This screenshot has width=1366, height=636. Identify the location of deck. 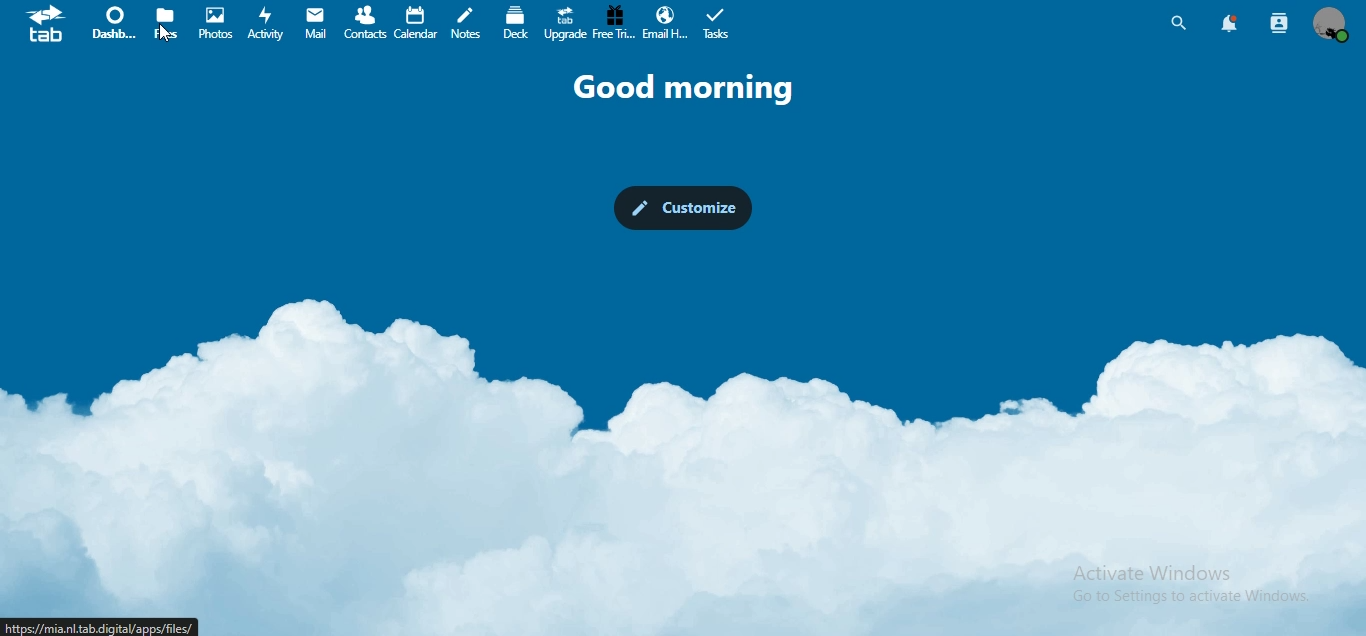
(517, 22).